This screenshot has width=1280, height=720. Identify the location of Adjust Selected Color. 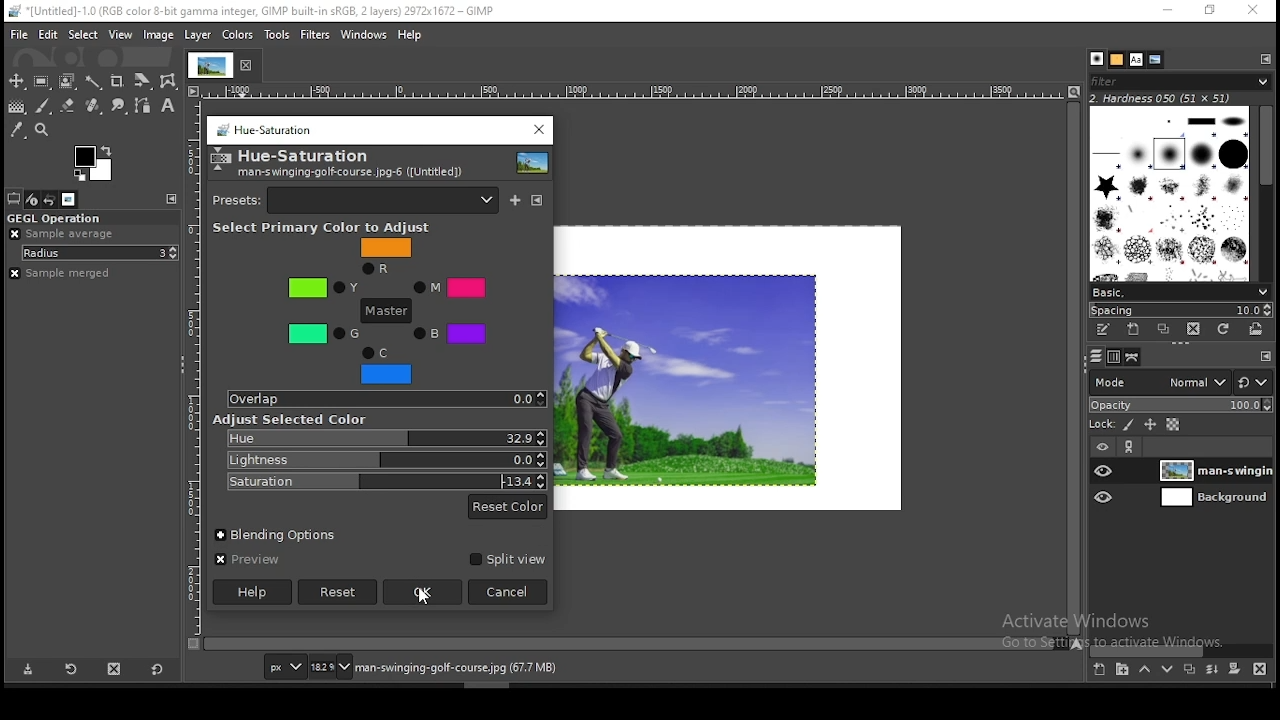
(291, 420).